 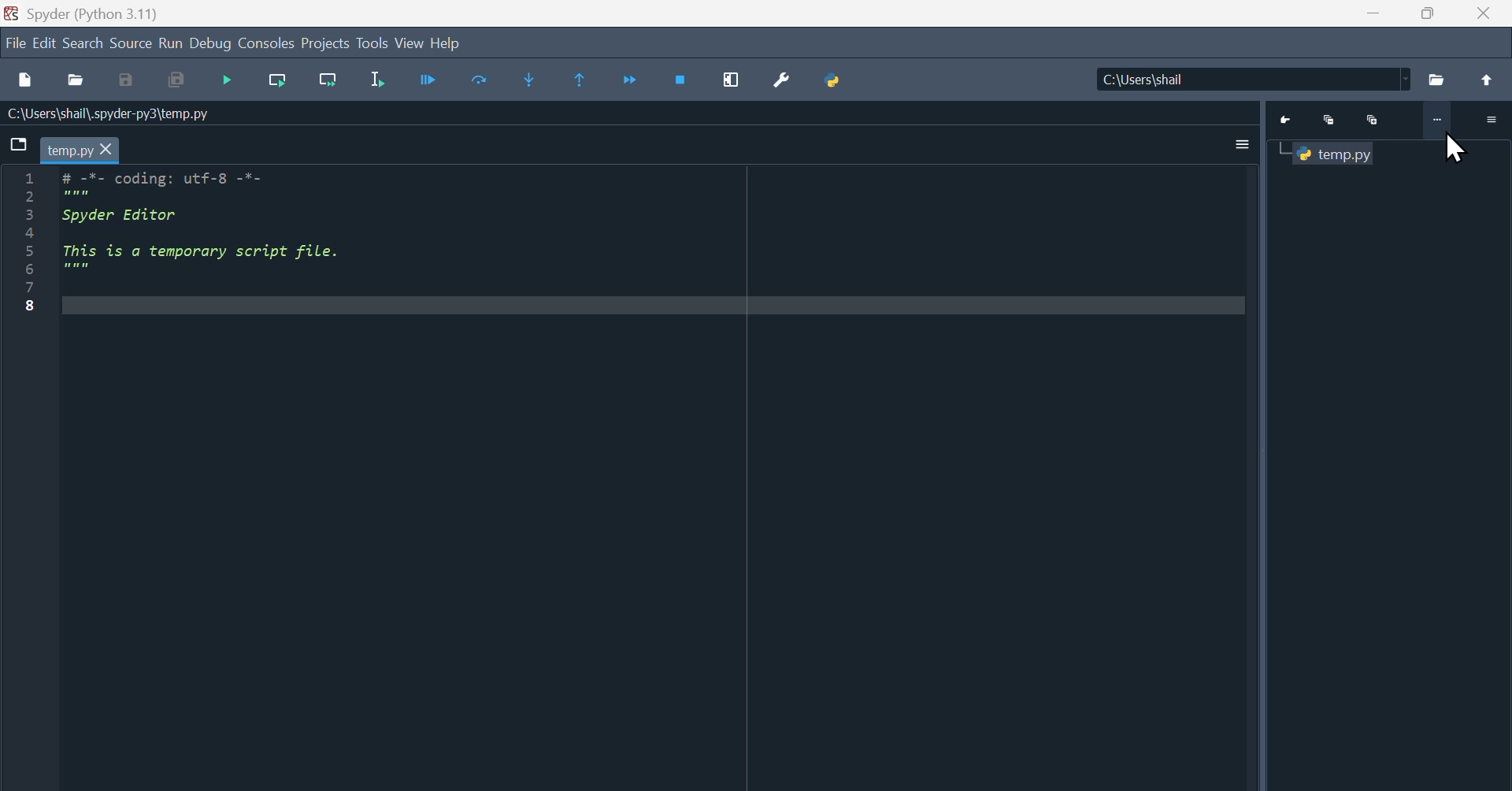 I want to click on Go to, so click(x=1289, y=121).